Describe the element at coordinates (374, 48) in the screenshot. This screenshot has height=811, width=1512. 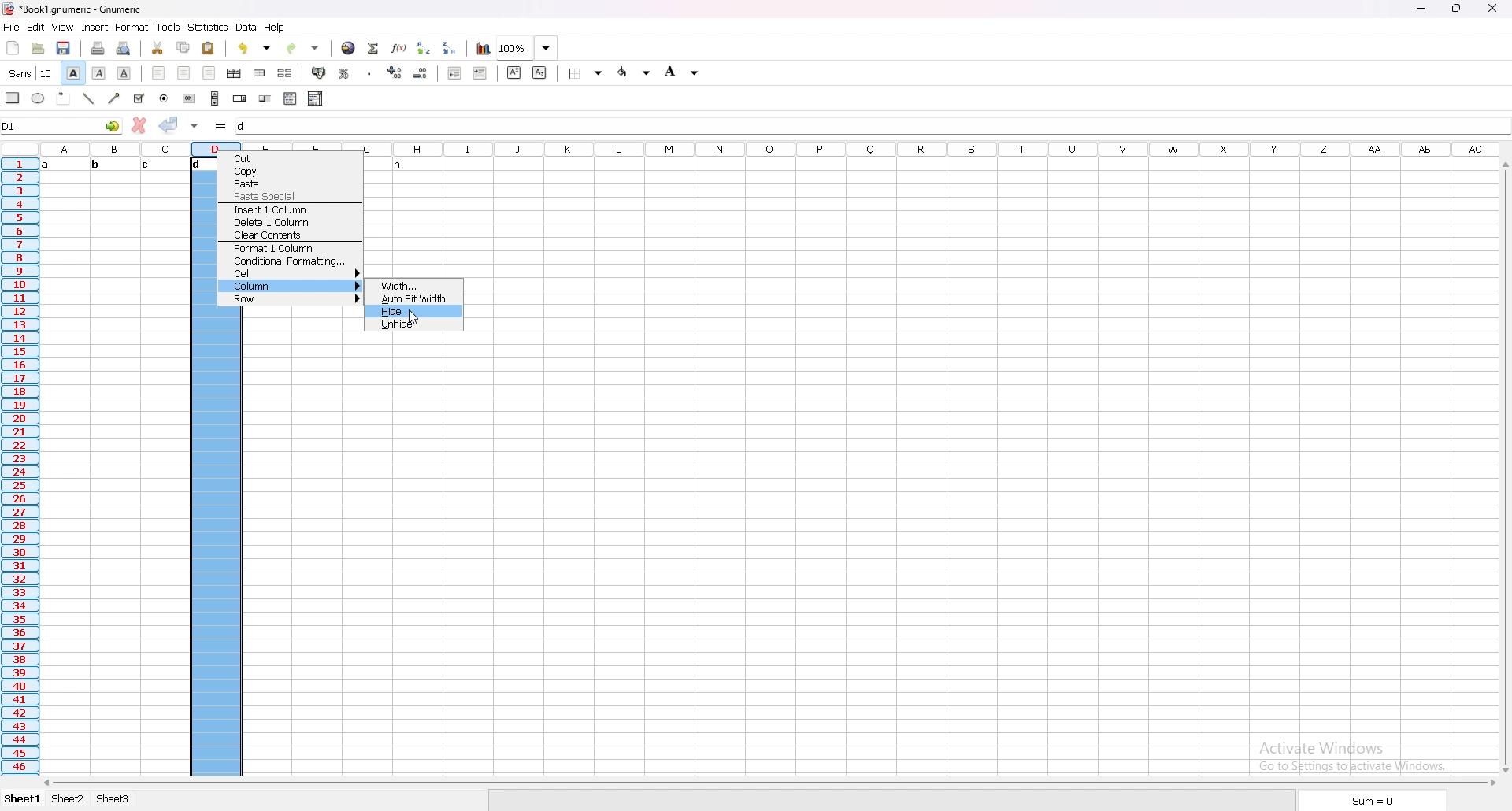
I see `summation` at that location.